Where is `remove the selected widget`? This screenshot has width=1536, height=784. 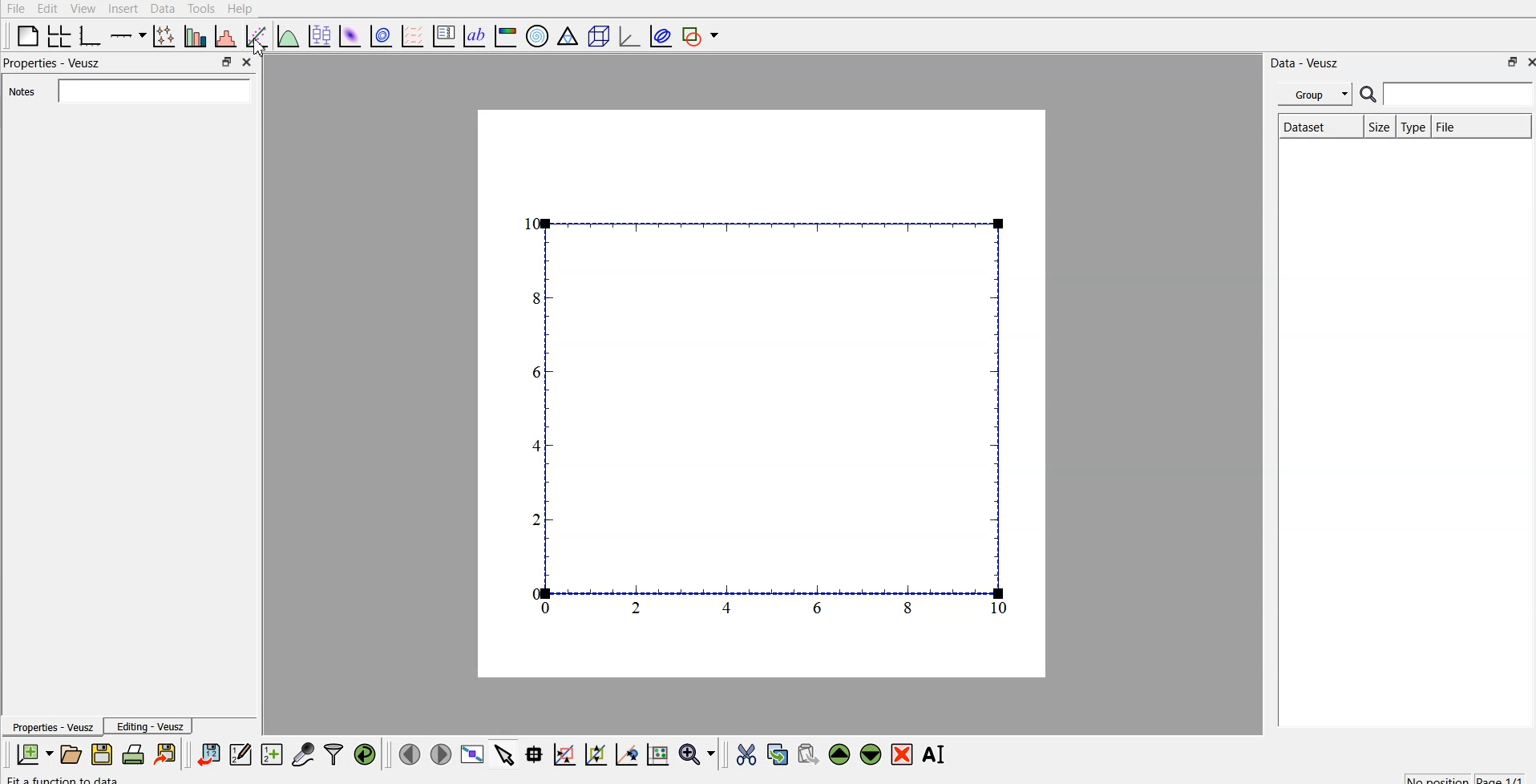
remove the selected widget is located at coordinates (903, 755).